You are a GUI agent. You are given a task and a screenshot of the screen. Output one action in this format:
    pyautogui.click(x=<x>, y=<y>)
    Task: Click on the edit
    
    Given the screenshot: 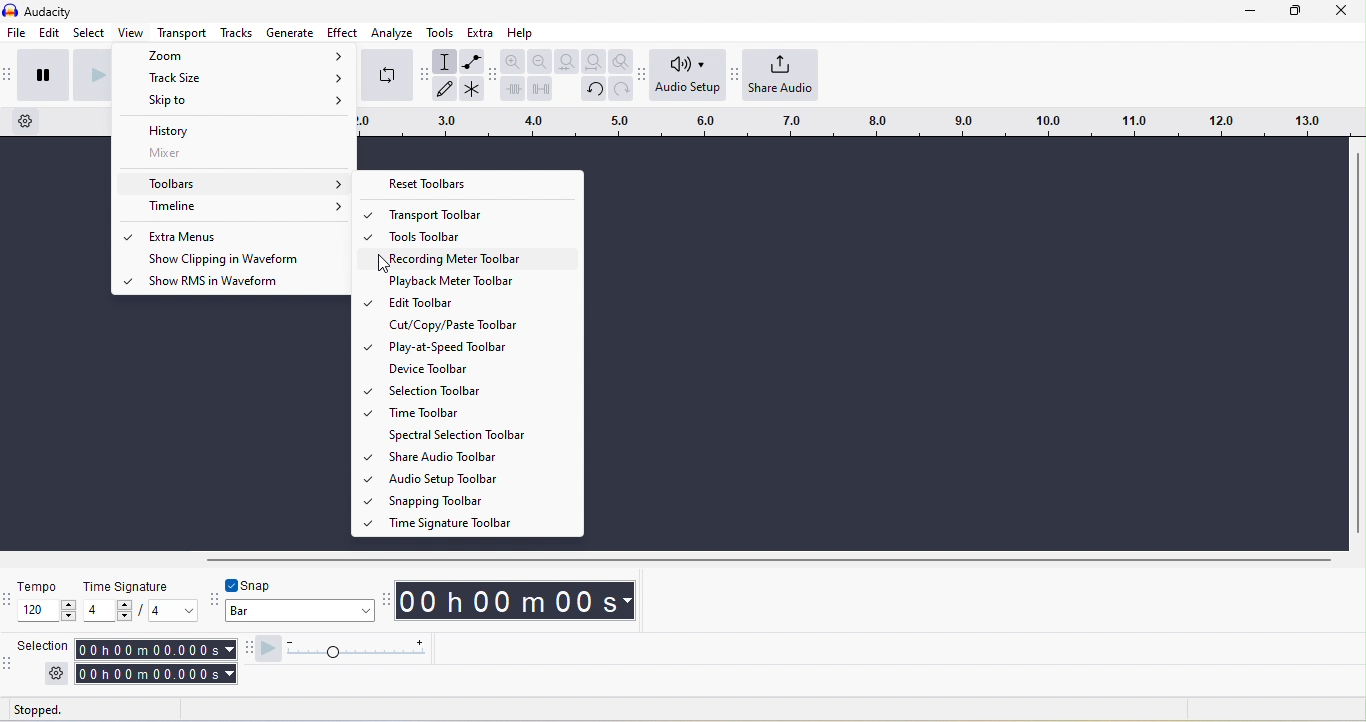 What is the action you would take?
    pyautogui.click(x=50, y=33)
    